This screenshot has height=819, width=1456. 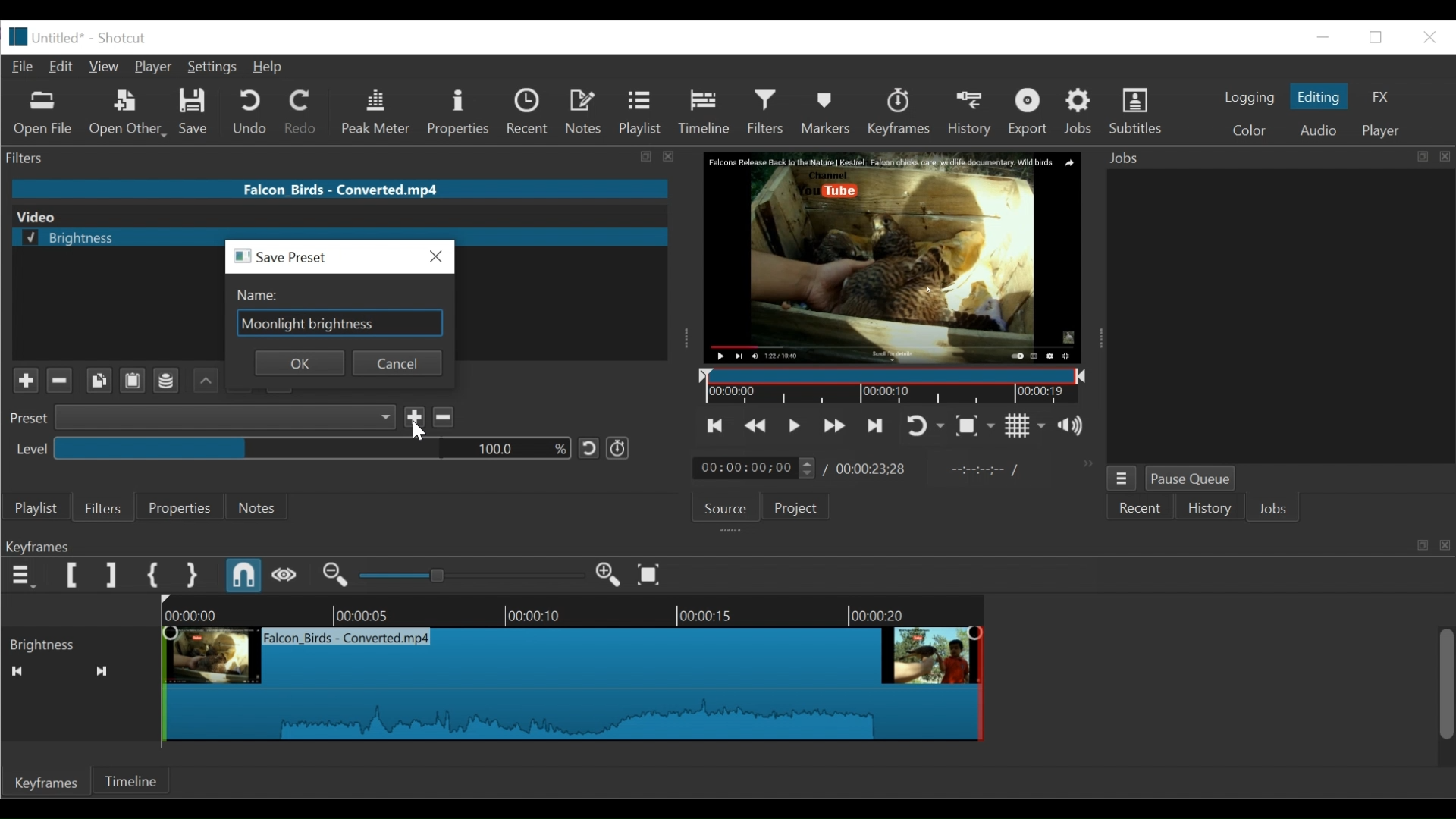 I want to click on Close, so click(x=1429, y=38).